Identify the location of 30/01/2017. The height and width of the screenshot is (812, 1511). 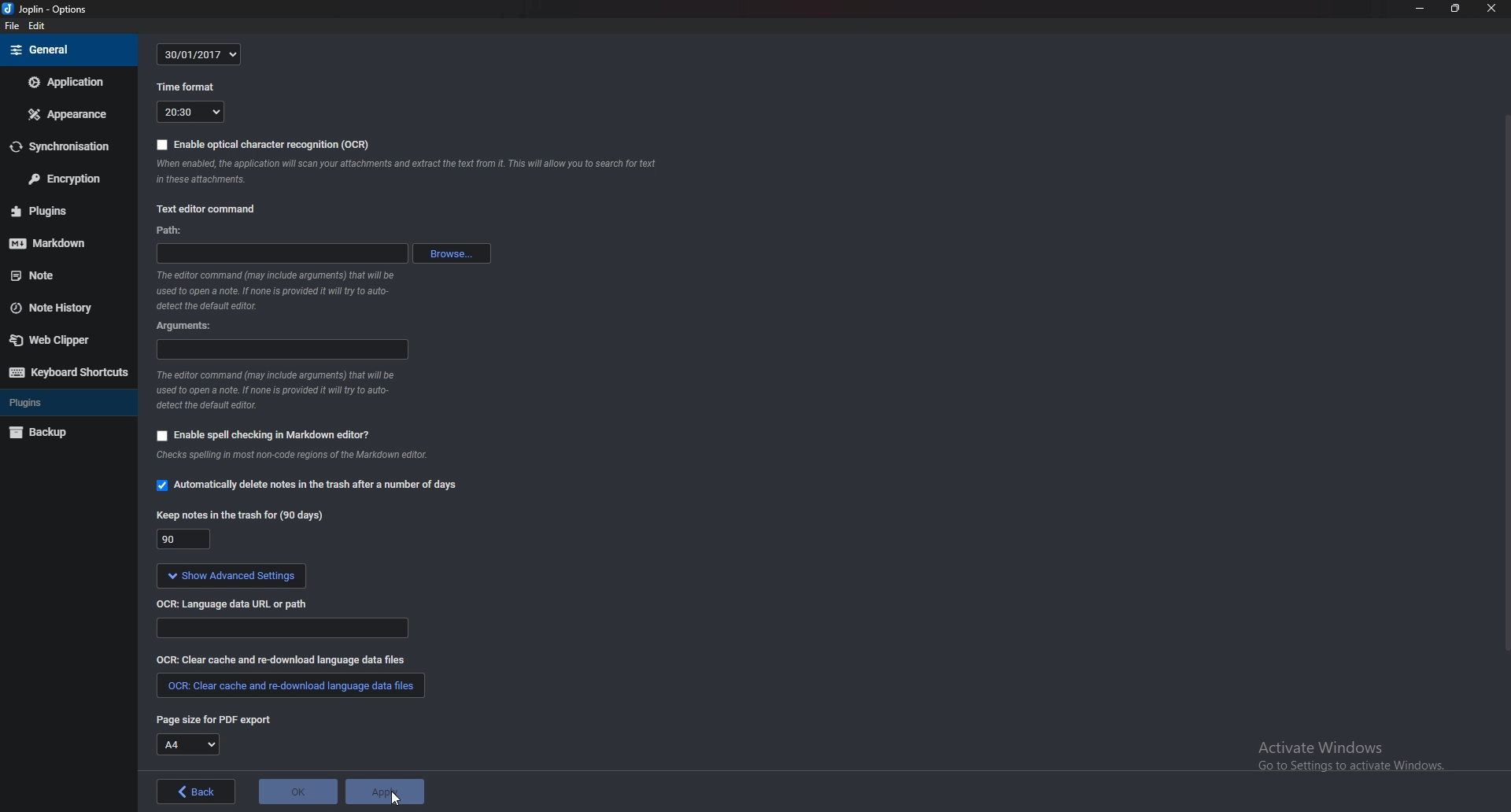
(201, 54).